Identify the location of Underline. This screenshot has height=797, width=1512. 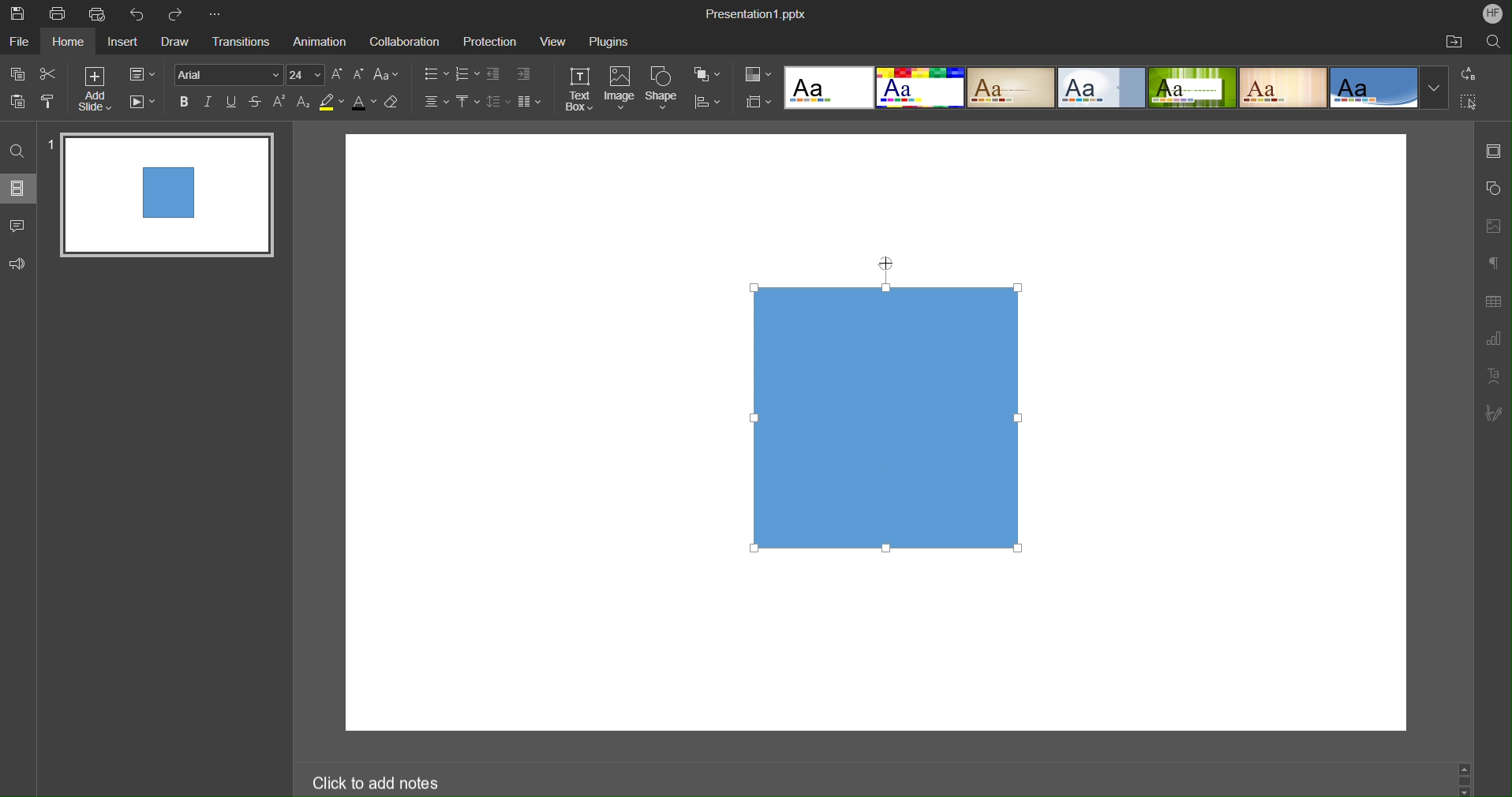
(230, 102).